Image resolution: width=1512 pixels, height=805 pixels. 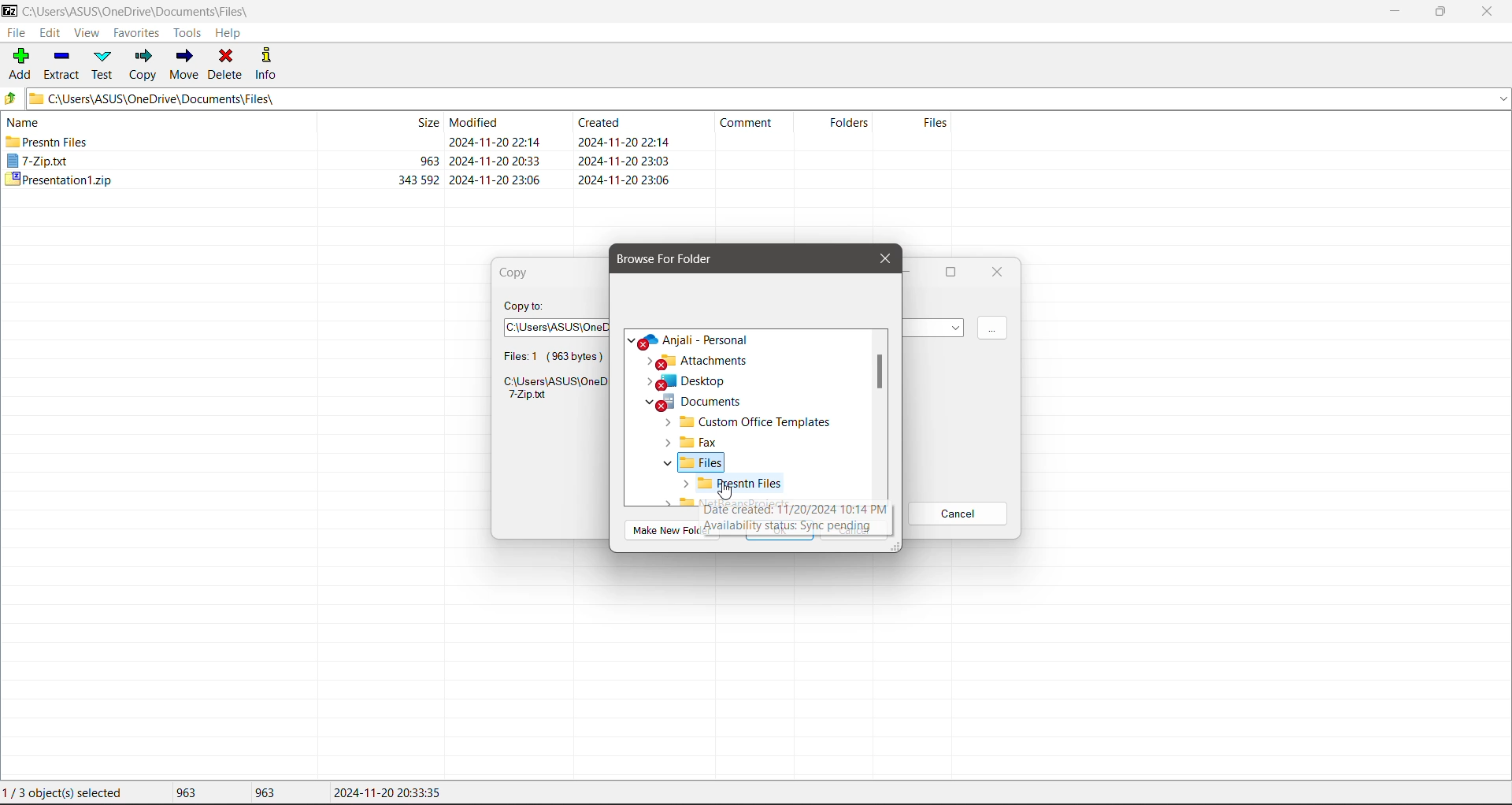 What do you see at coordinates (182, 793) in the screenshot?
I see `Total size of file(s) selected` at bounding box center [182, 793].